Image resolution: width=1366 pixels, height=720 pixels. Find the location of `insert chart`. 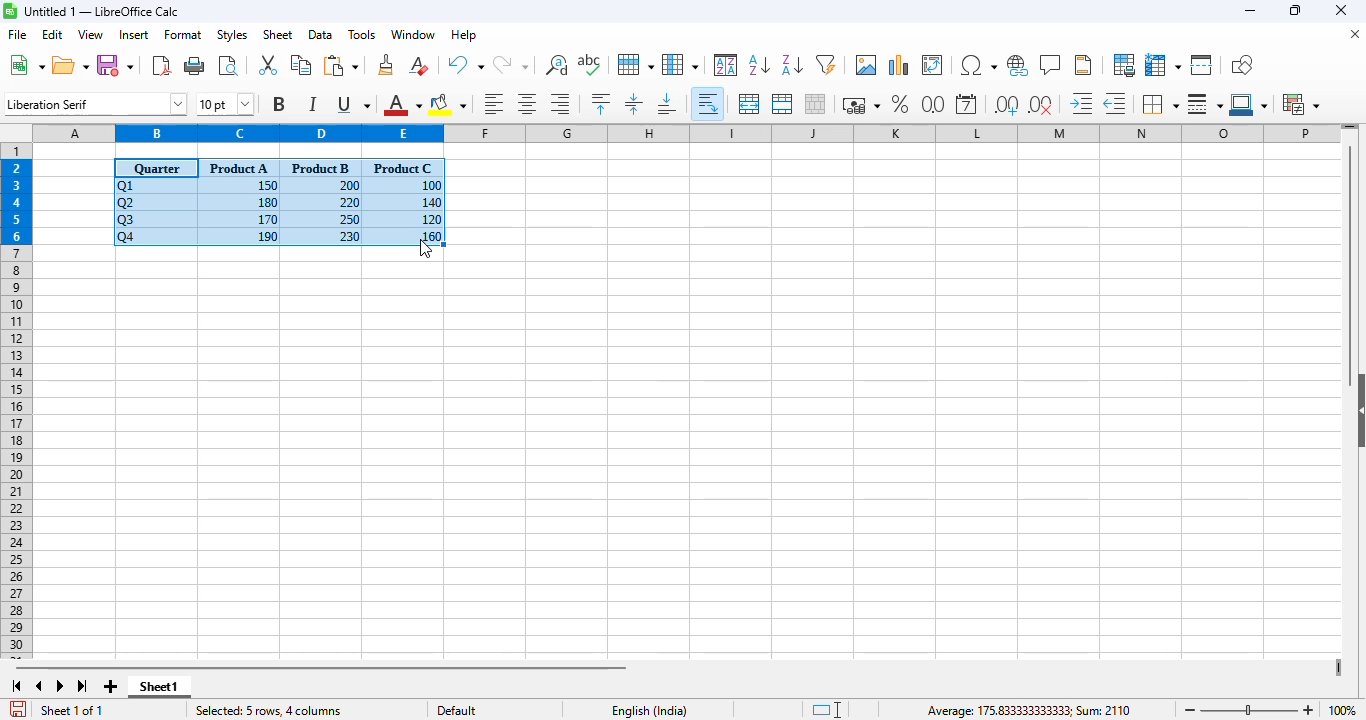

insert chart is located at coordinates (899, 64).